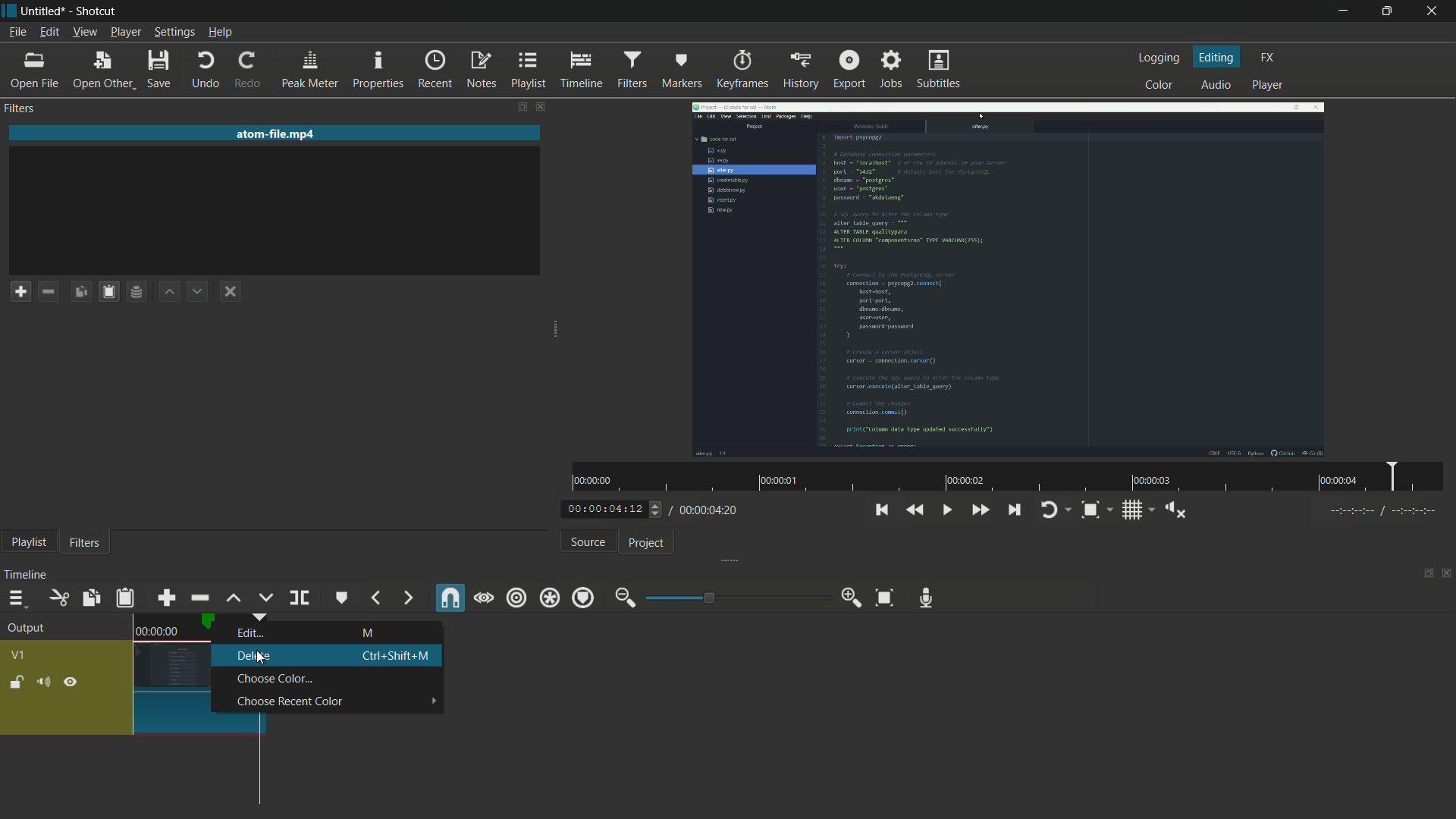  I want to click on Ctrl + Shift + M, so click(396, 657).